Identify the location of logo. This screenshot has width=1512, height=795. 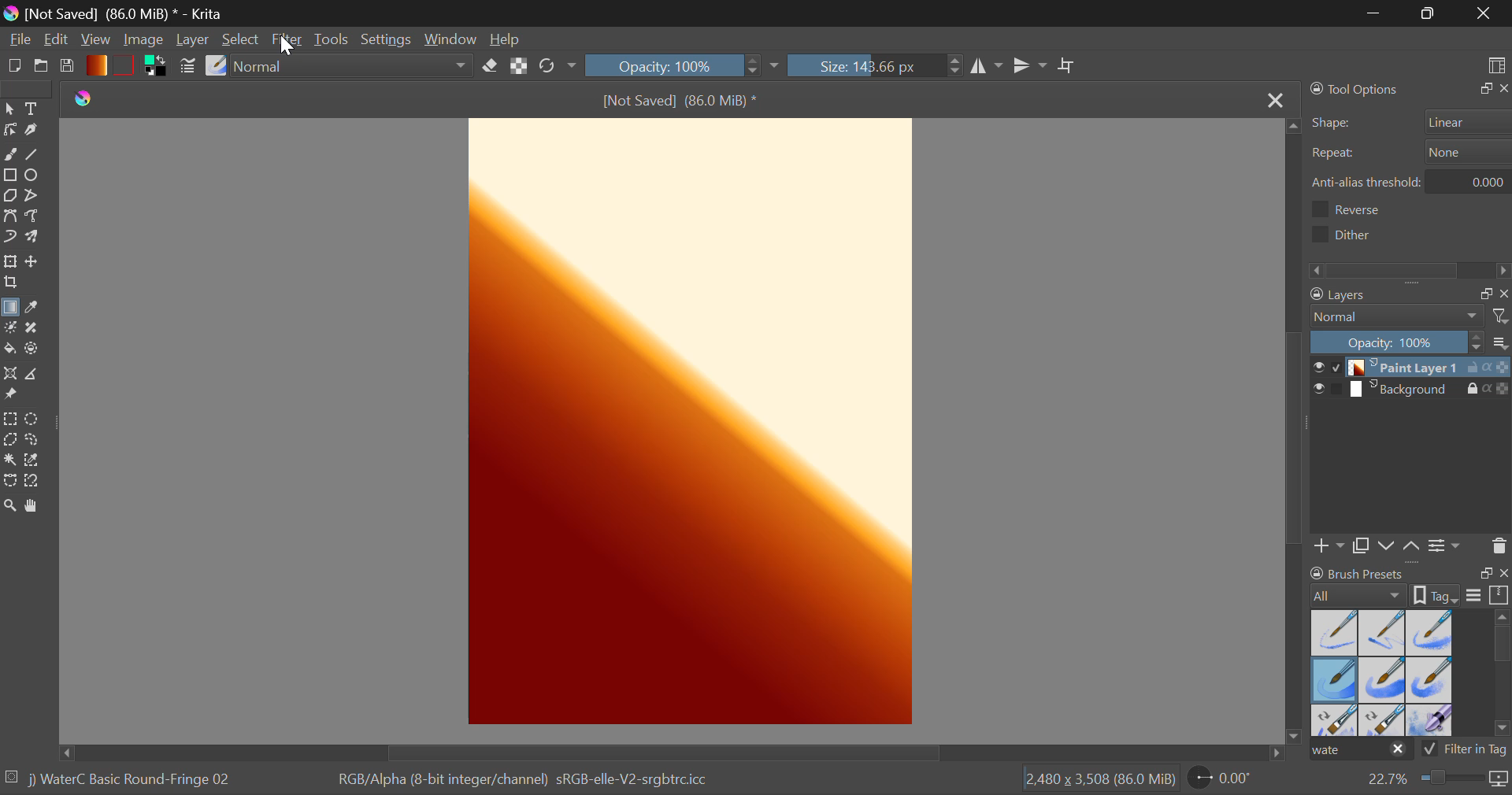
(84, 101).